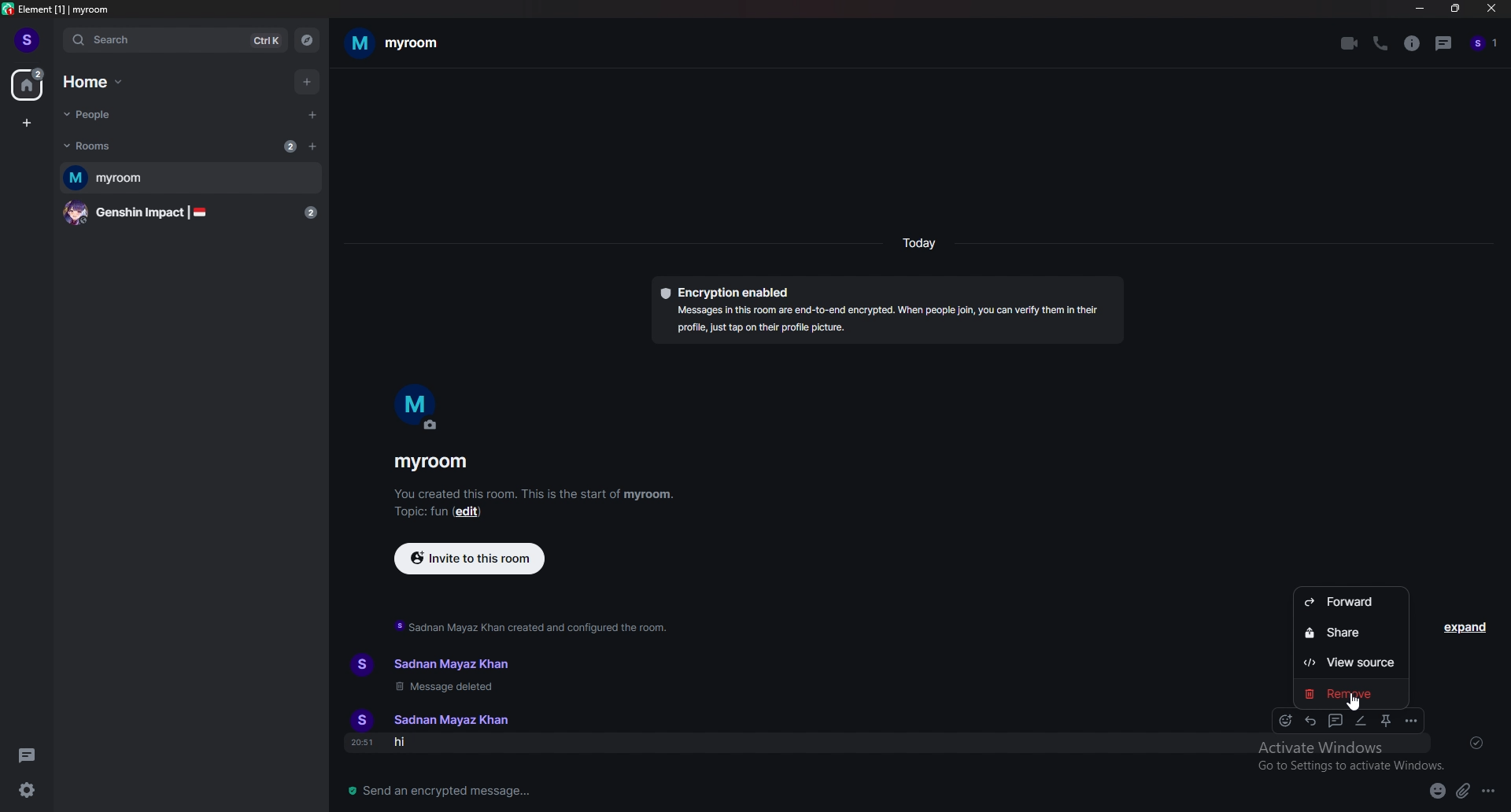 This screenshot has width=1511, height=812. Describe the element at coordinates (305, 82) in the screenshot. I see `add` at that location.